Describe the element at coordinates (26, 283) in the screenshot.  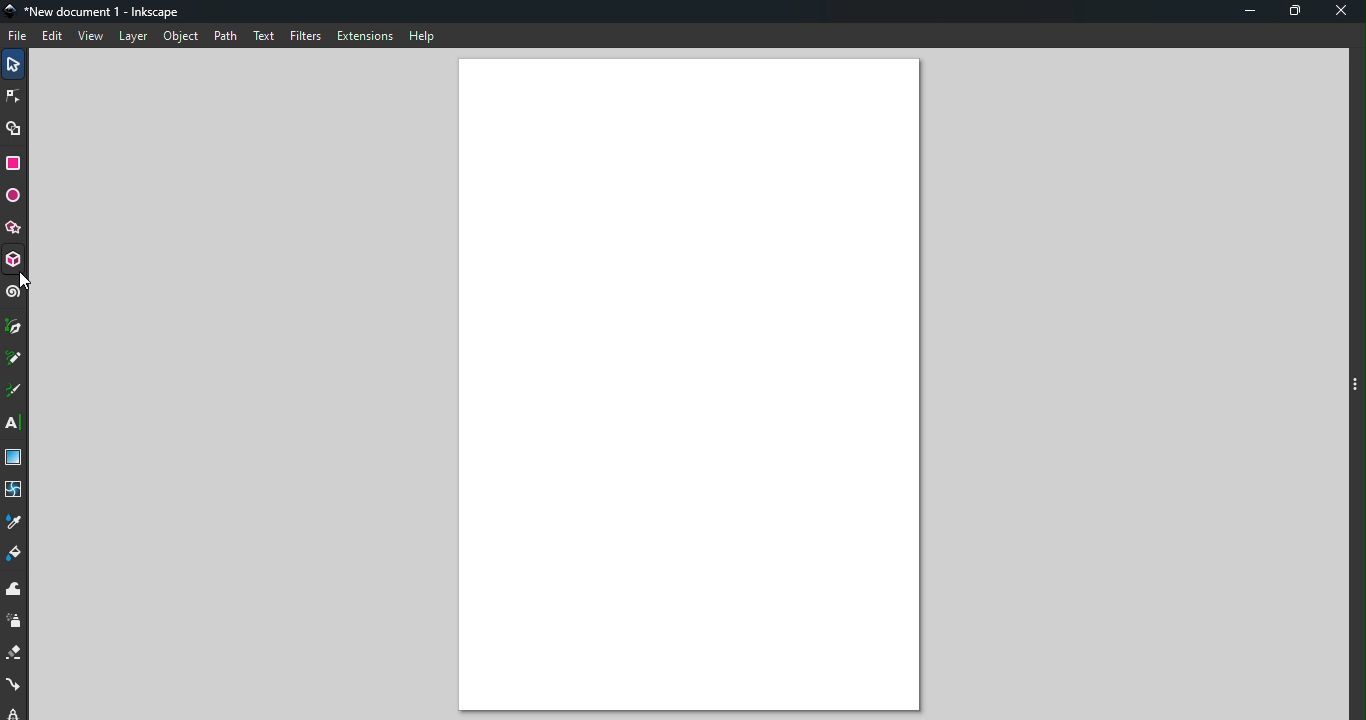
I see `cursor` at that location.